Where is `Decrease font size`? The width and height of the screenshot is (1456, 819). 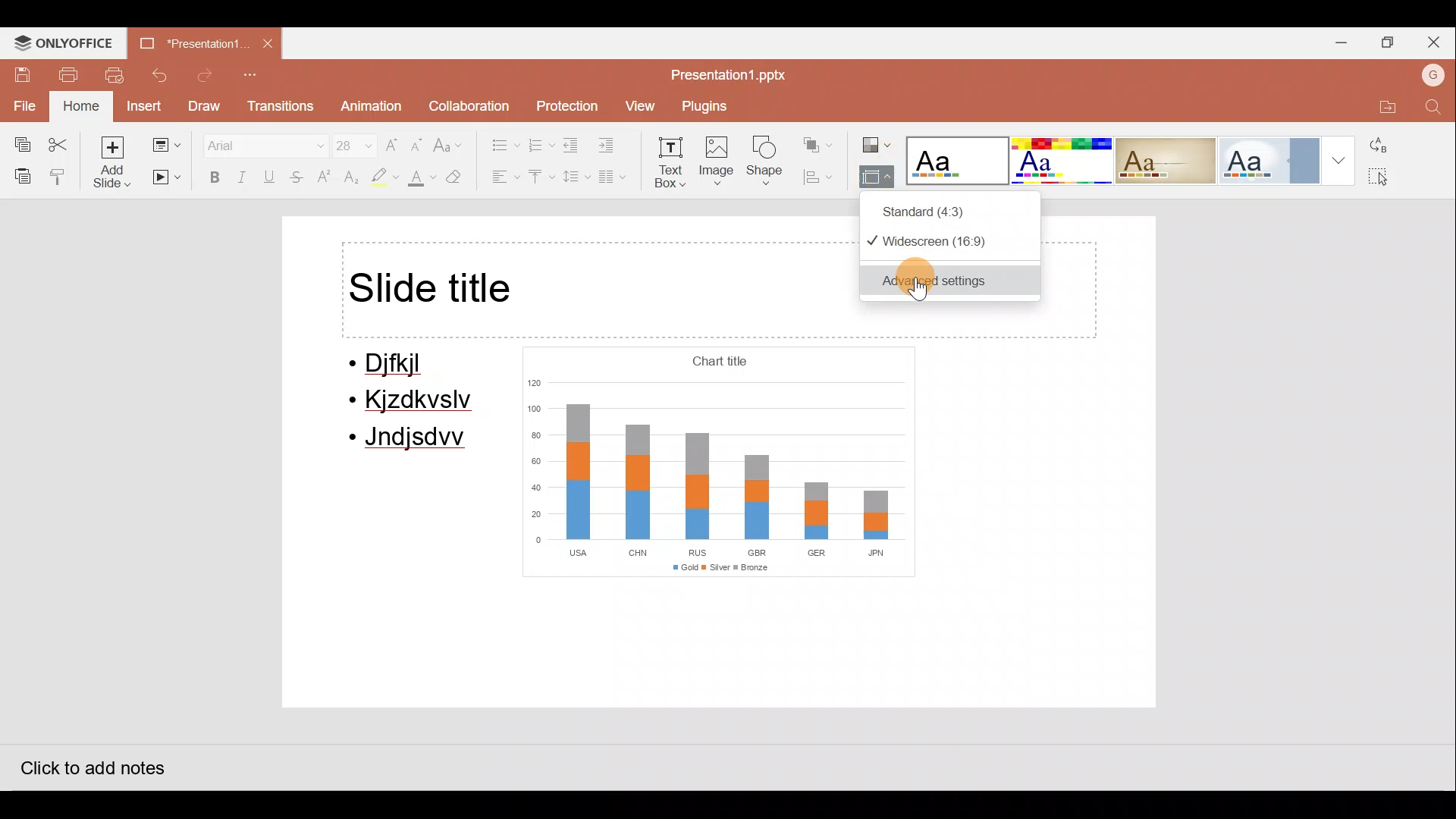 Decrease font size is located at coordinates (419, 140).